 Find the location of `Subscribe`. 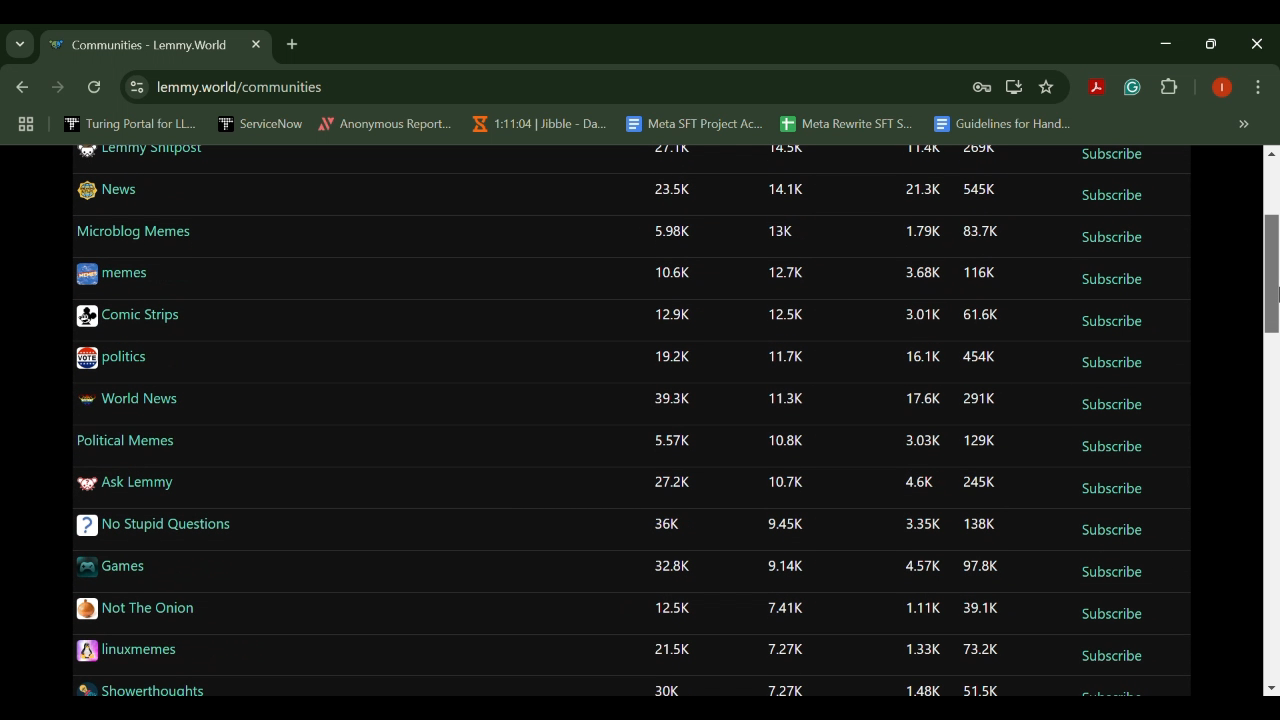

Subscribe is located at coordinates (1110, 280).